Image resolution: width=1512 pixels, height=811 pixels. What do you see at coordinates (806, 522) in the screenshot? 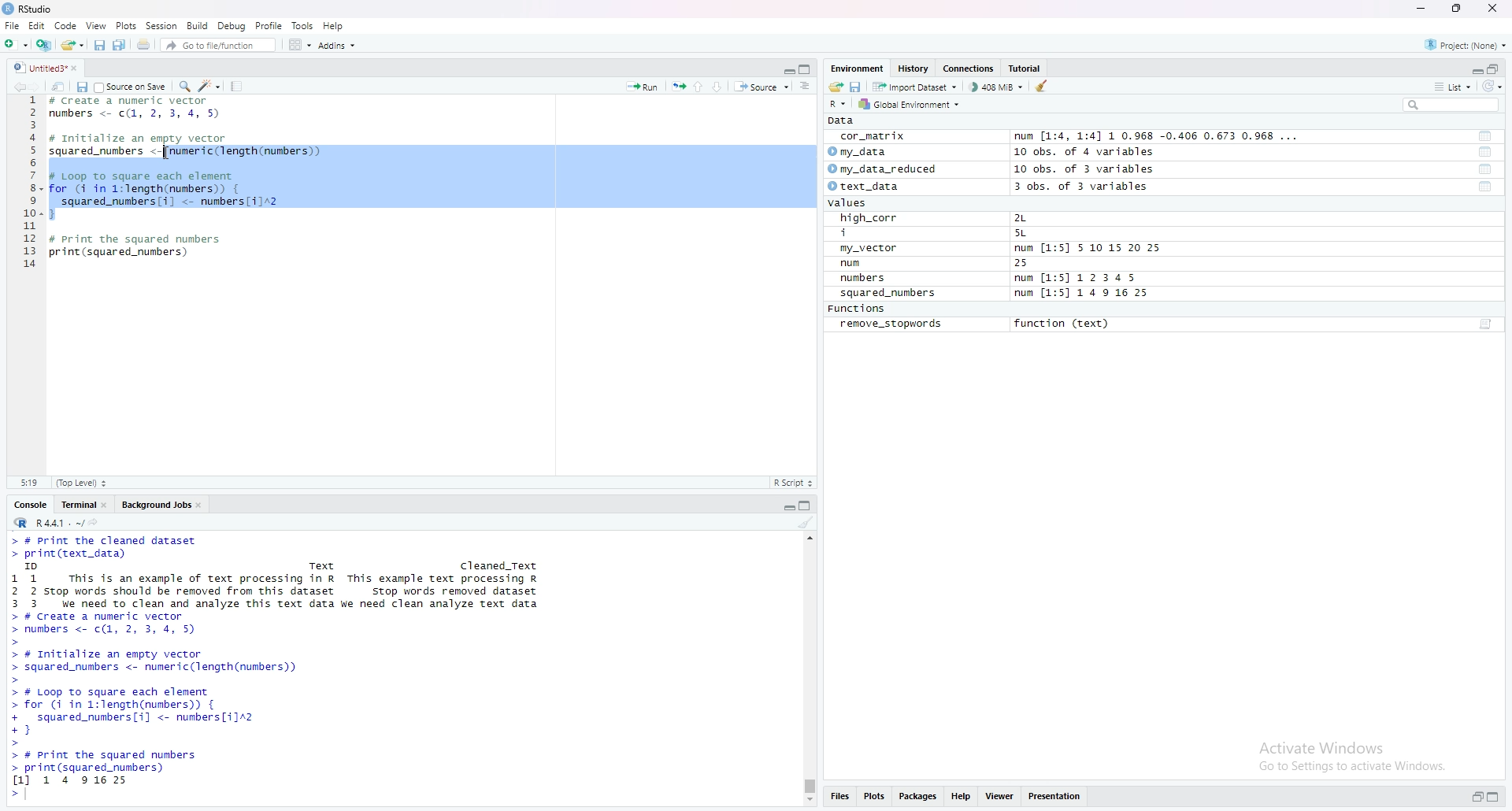
I see `clear console` at bounding box center [806, 522].